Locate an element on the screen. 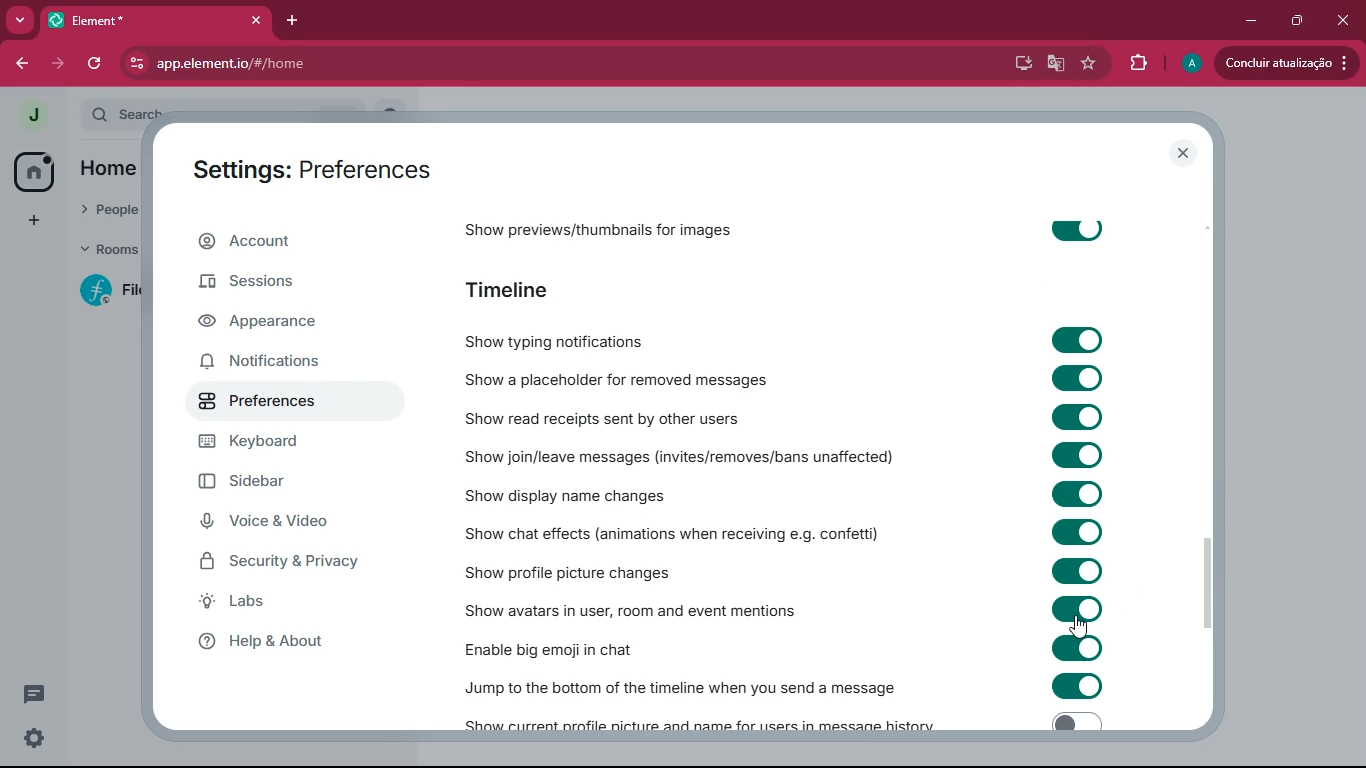  expand is located at coordinates (68, 117).